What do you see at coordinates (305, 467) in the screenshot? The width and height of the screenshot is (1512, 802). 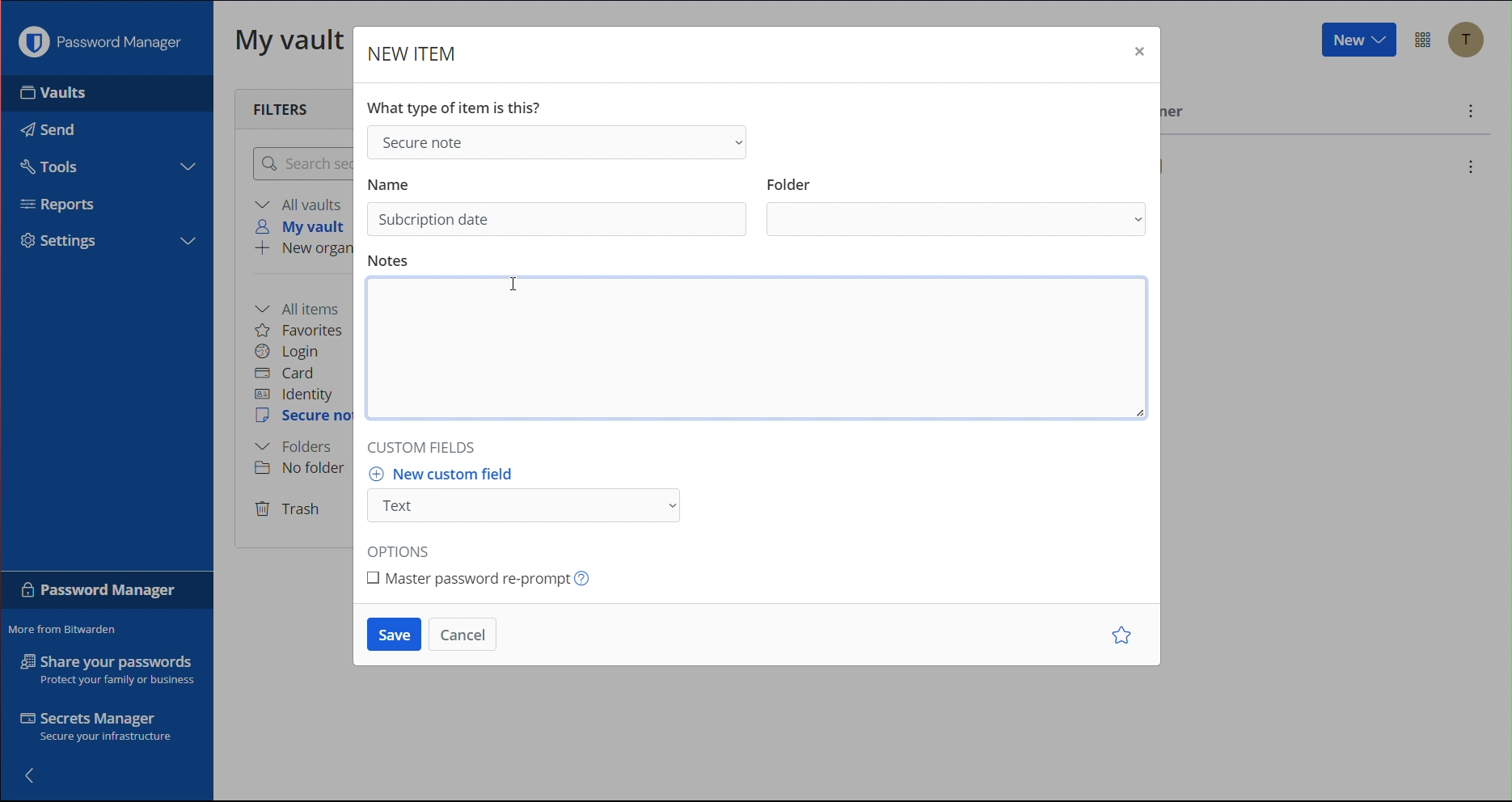 I see `No folder` at bounding box center [305, 467].